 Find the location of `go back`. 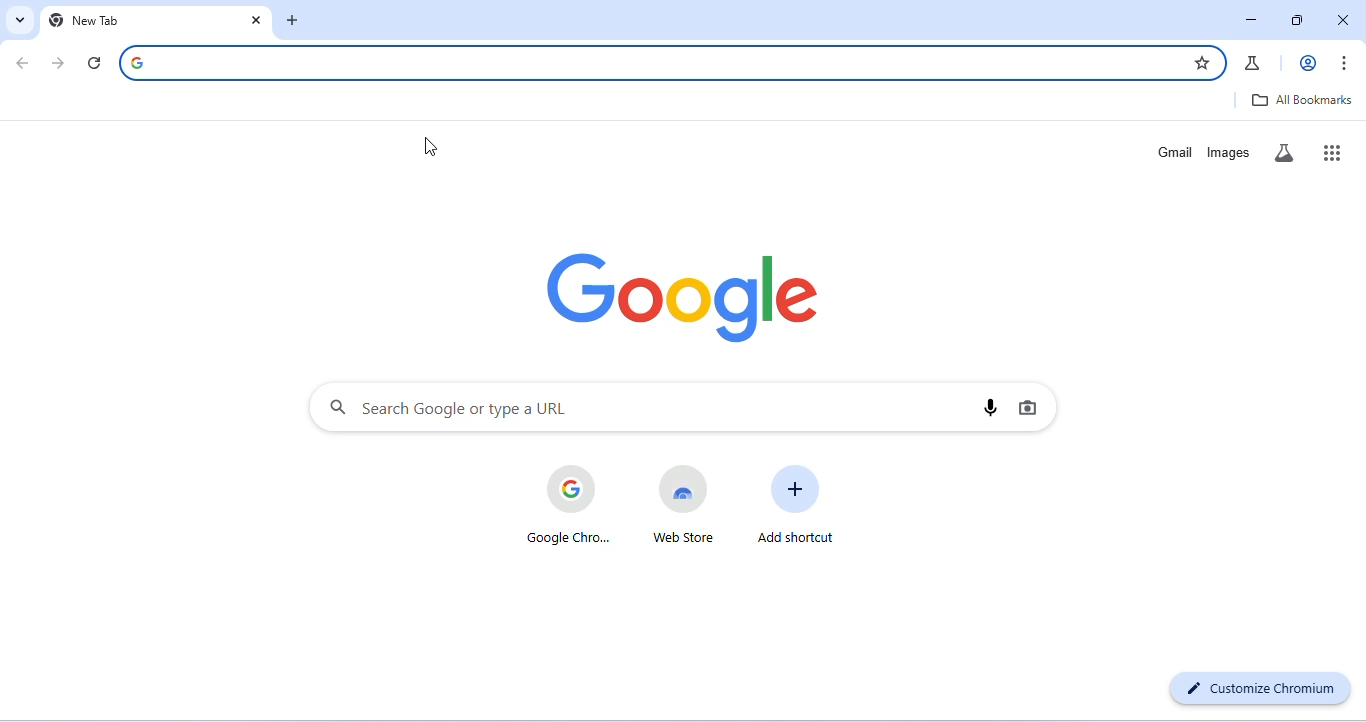

go back is located at coordinates (25, 64).